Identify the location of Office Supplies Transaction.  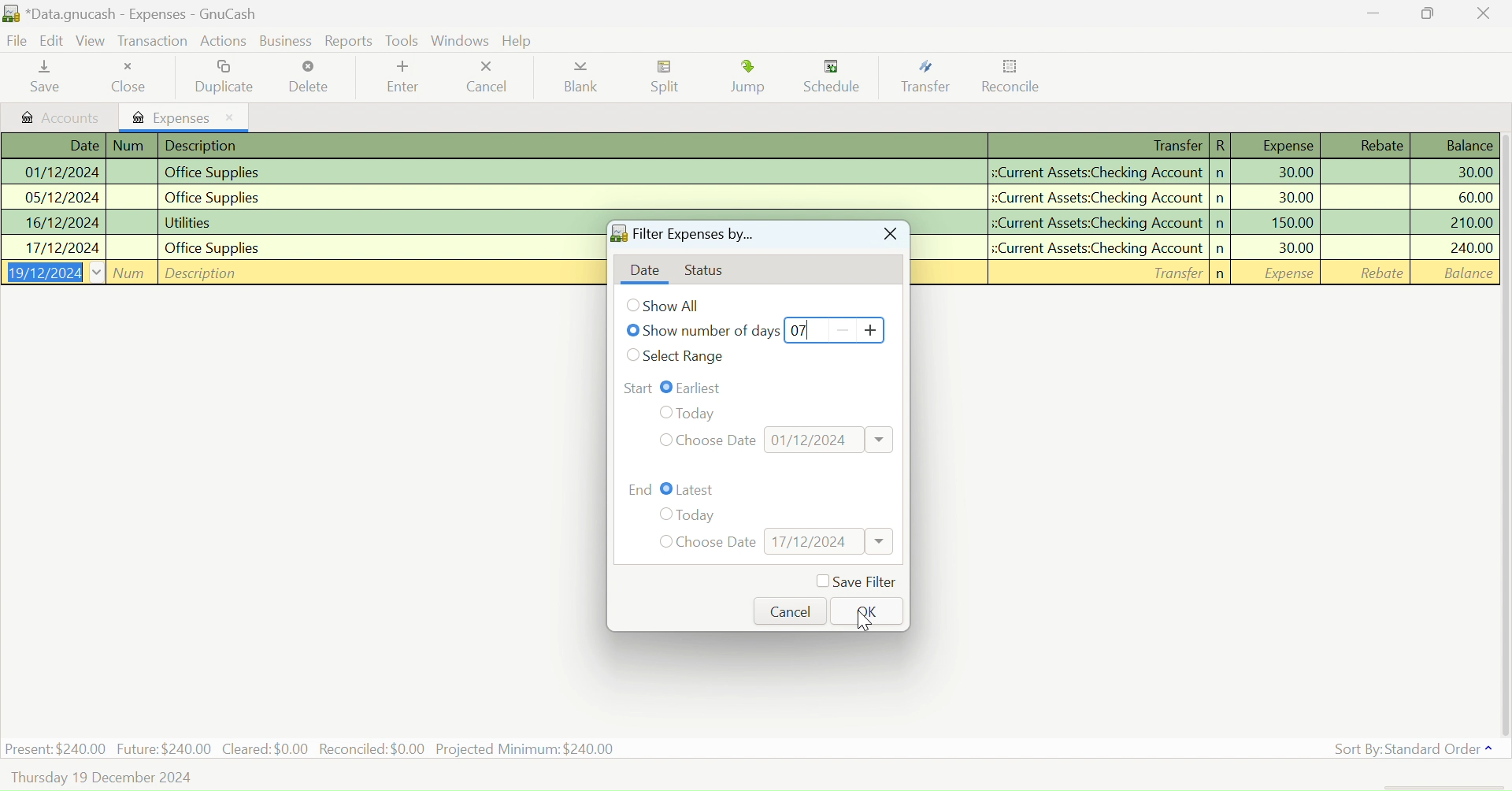
(748, 173).